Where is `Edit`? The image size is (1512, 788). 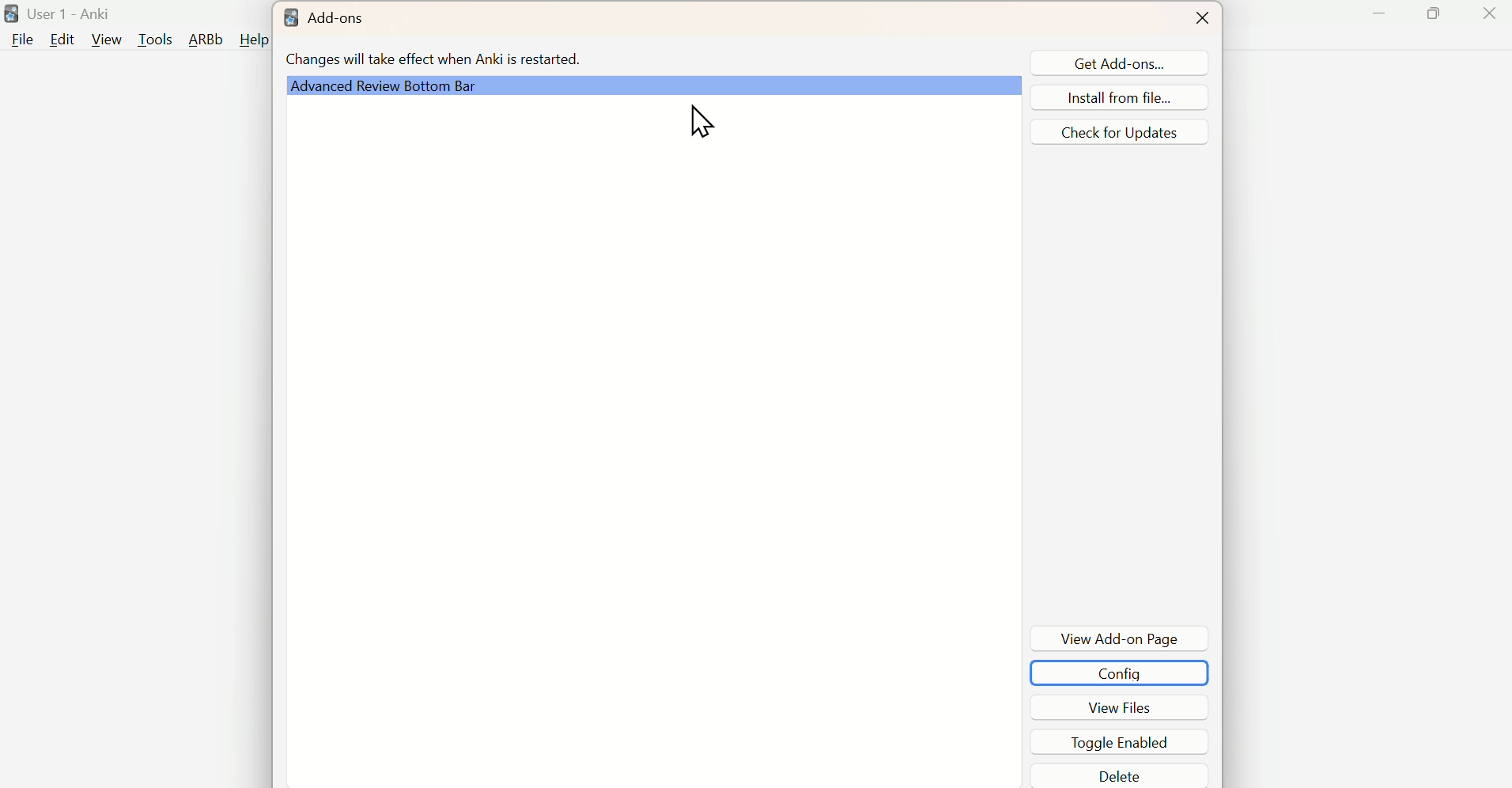 Edit is located at coordinates (61, 40).